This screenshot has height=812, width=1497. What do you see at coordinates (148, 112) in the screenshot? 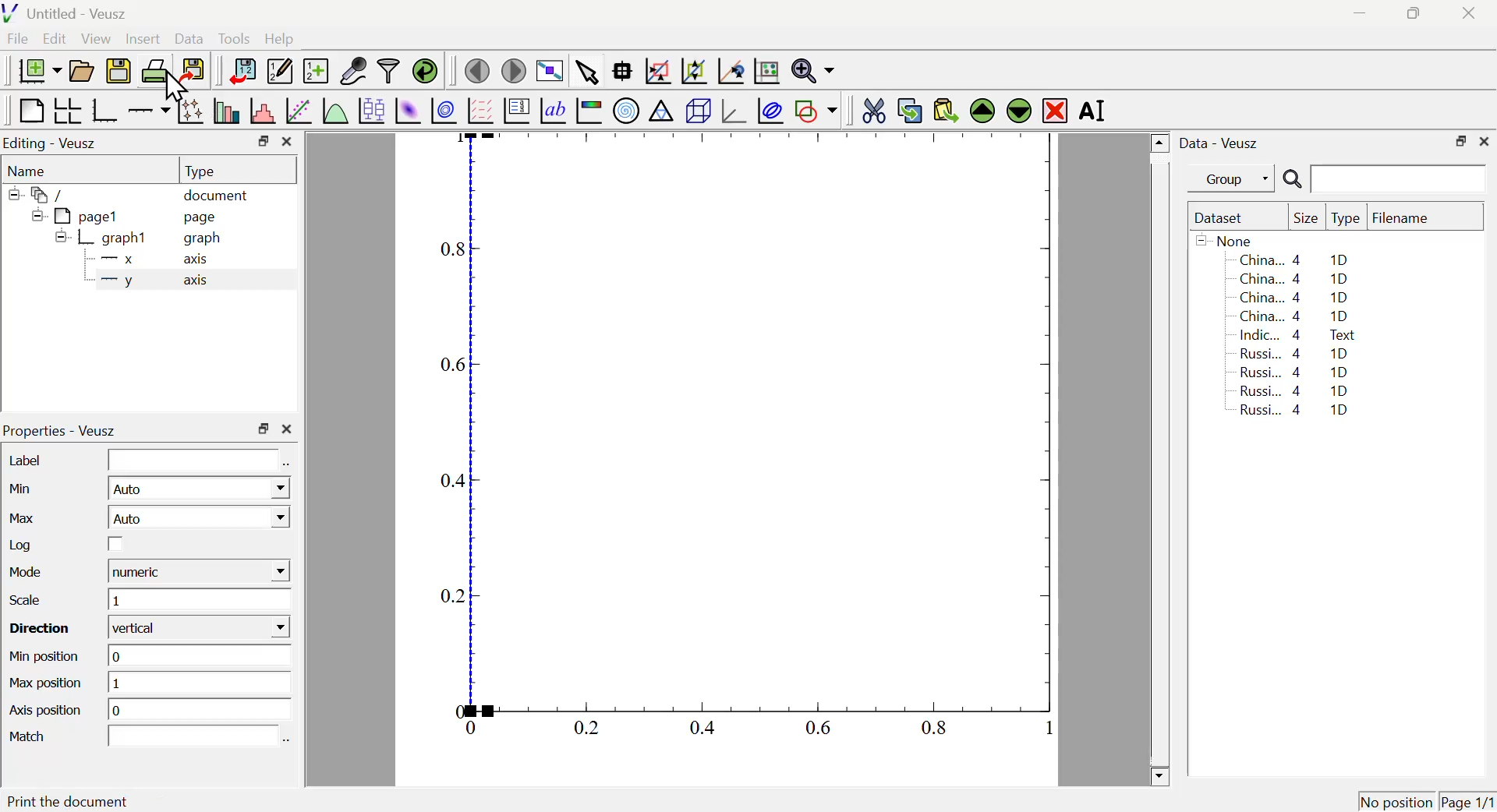
I see `Add an axis to a plot` at bounding box center [148, 112].